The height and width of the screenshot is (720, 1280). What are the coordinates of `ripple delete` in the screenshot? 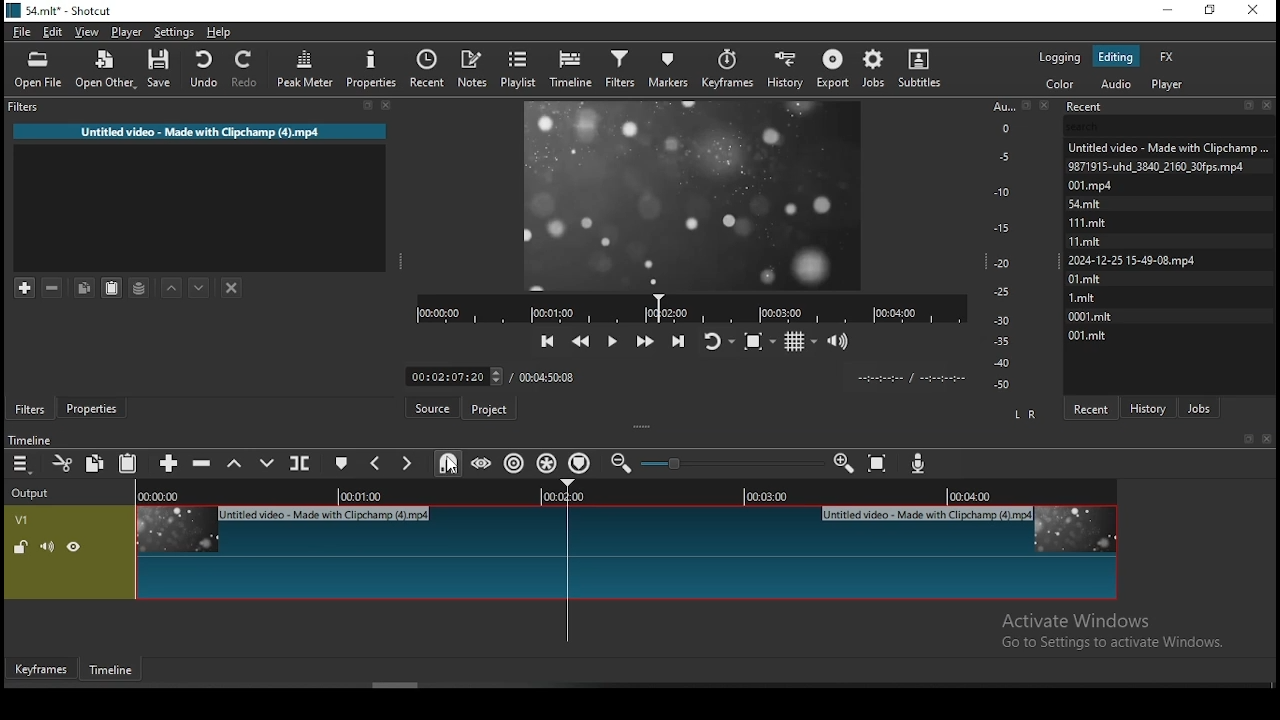 It's located at (202, 465).